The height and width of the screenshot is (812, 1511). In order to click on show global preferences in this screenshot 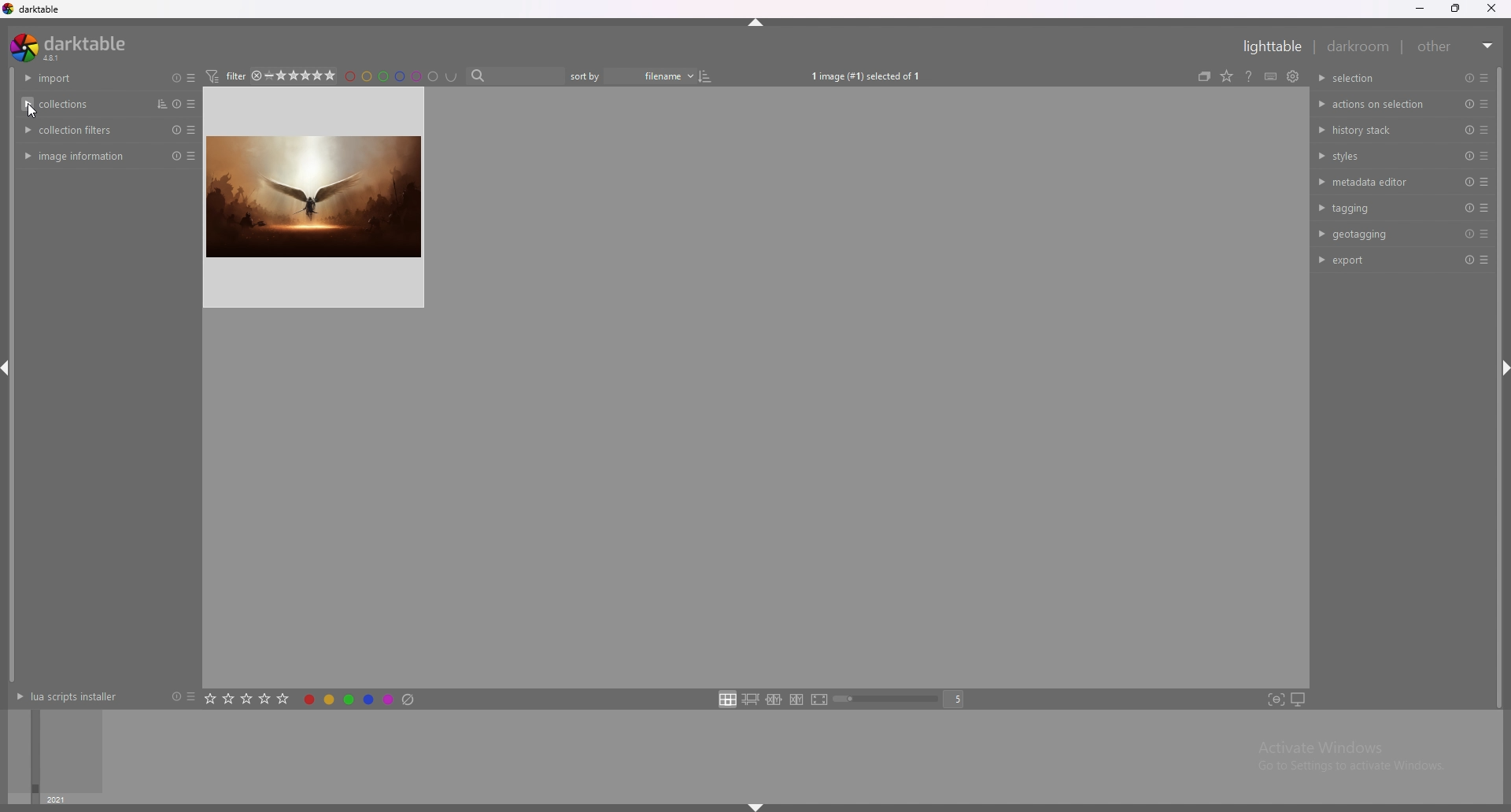, I will do `click(1312, 75)`.